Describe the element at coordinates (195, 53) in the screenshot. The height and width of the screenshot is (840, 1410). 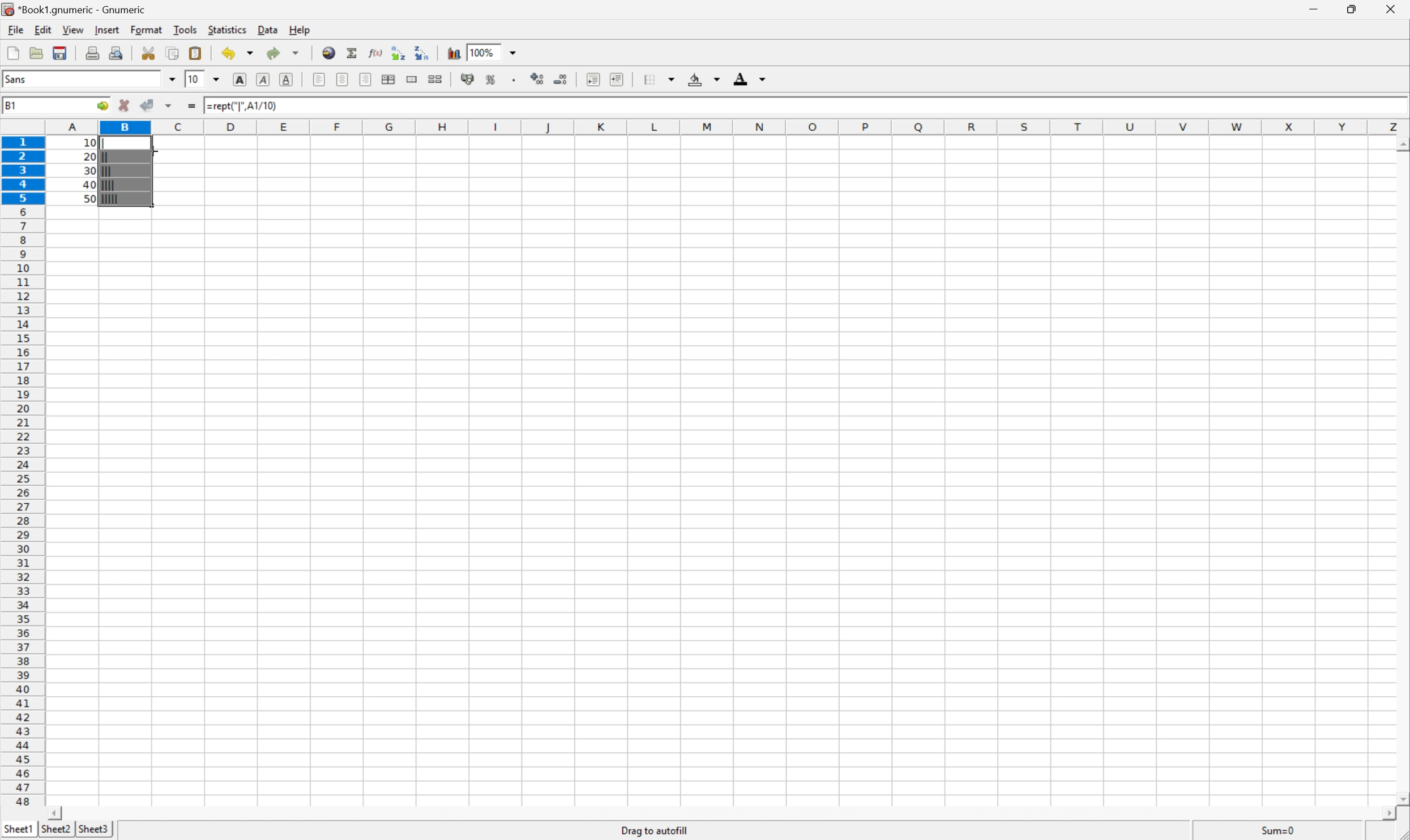
I see `Paste clipboard` at that location.